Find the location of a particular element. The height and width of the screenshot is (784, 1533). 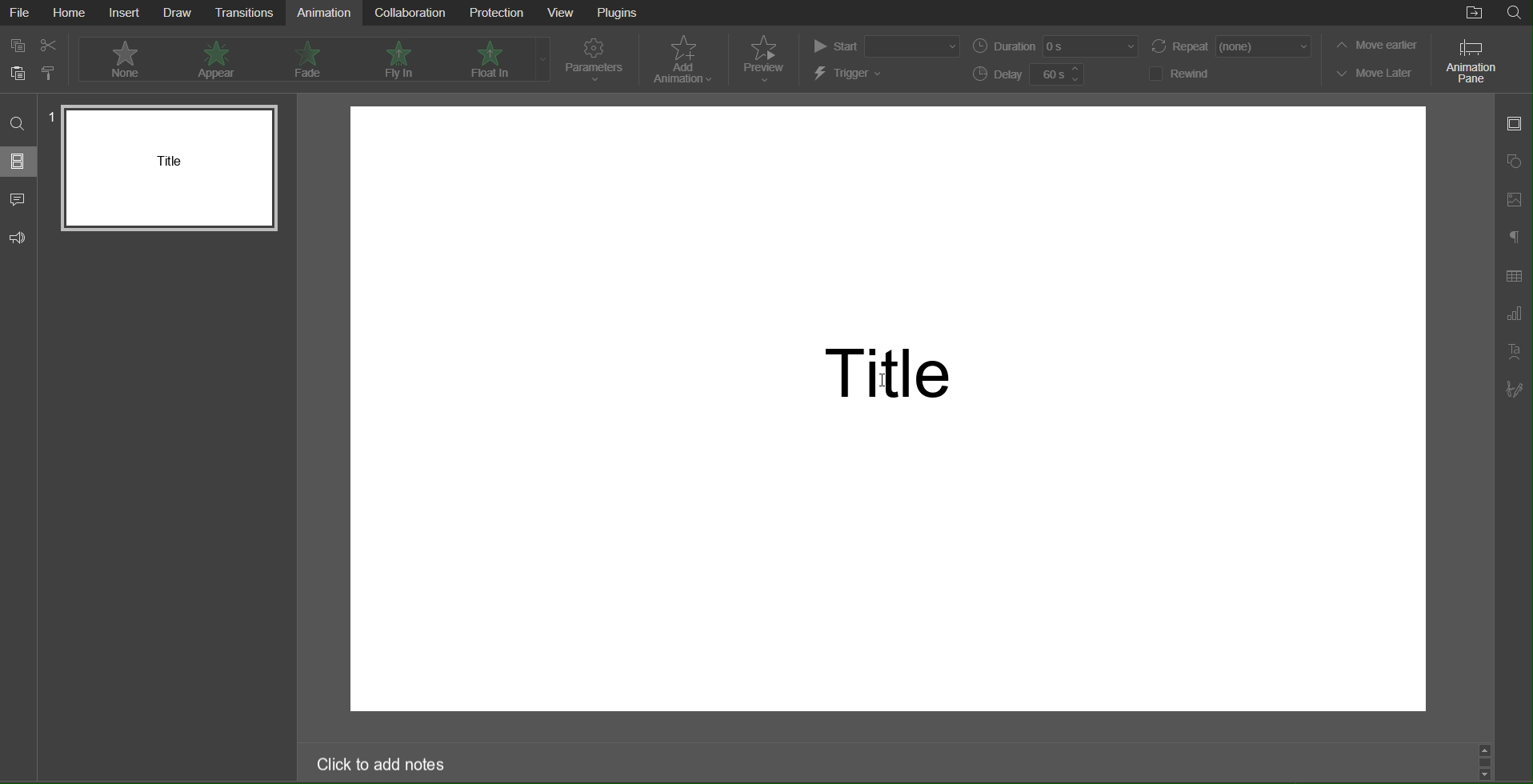

Delay is located at coordinates (1033, 74).